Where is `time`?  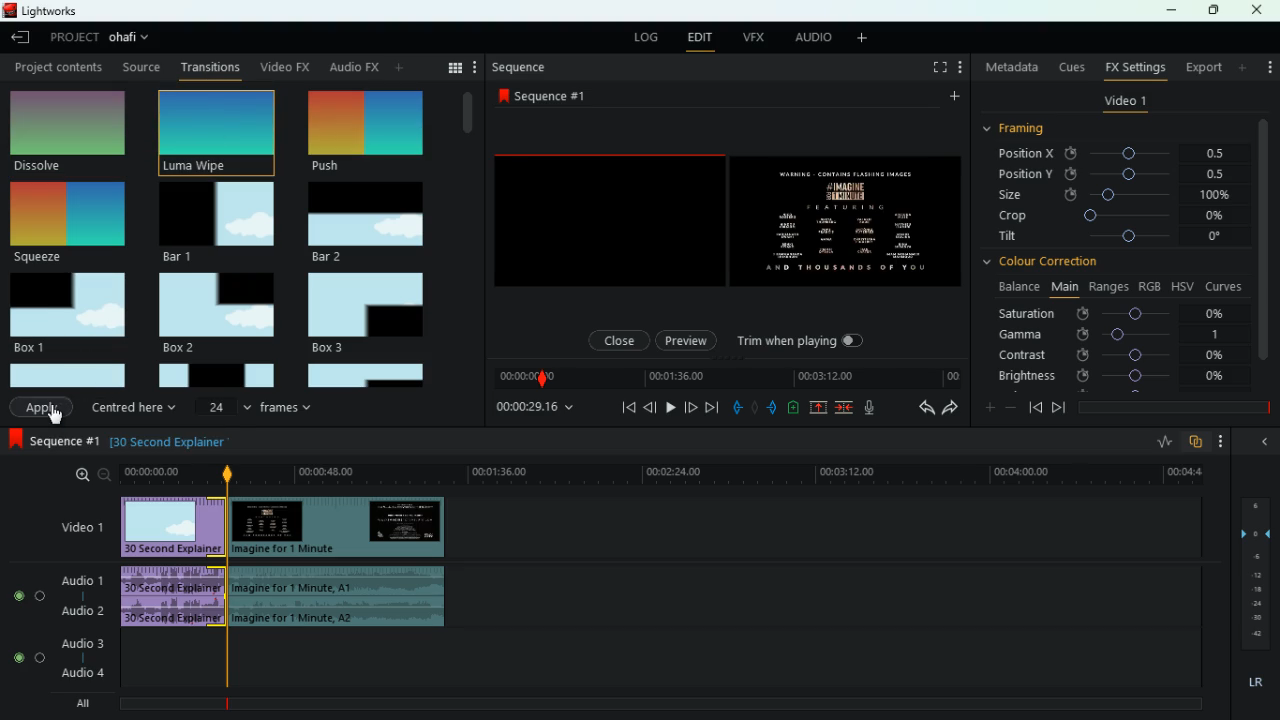 time is located at coordinates (660, 474).